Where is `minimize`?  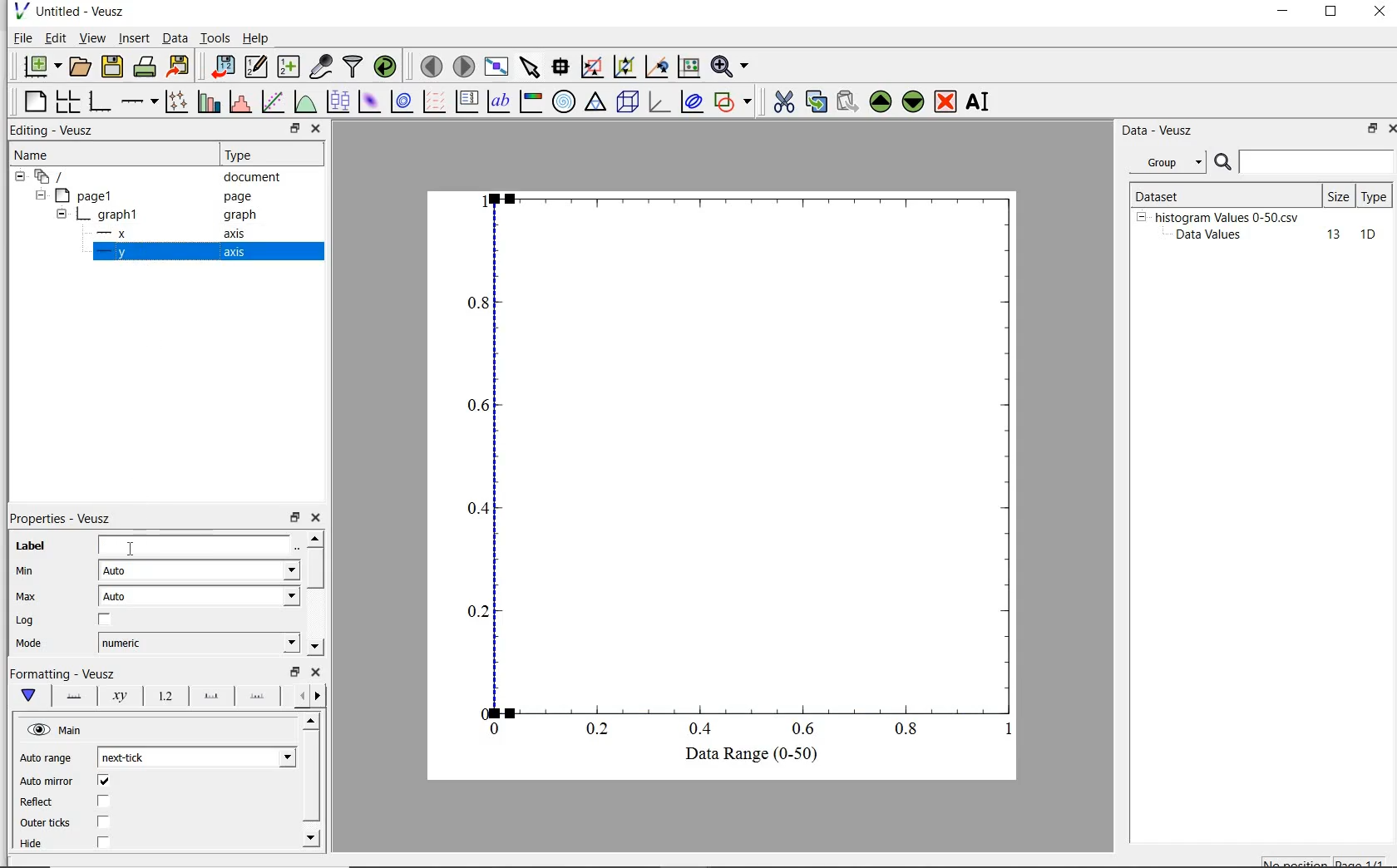
minimize is located at coordinates (1284, 13).